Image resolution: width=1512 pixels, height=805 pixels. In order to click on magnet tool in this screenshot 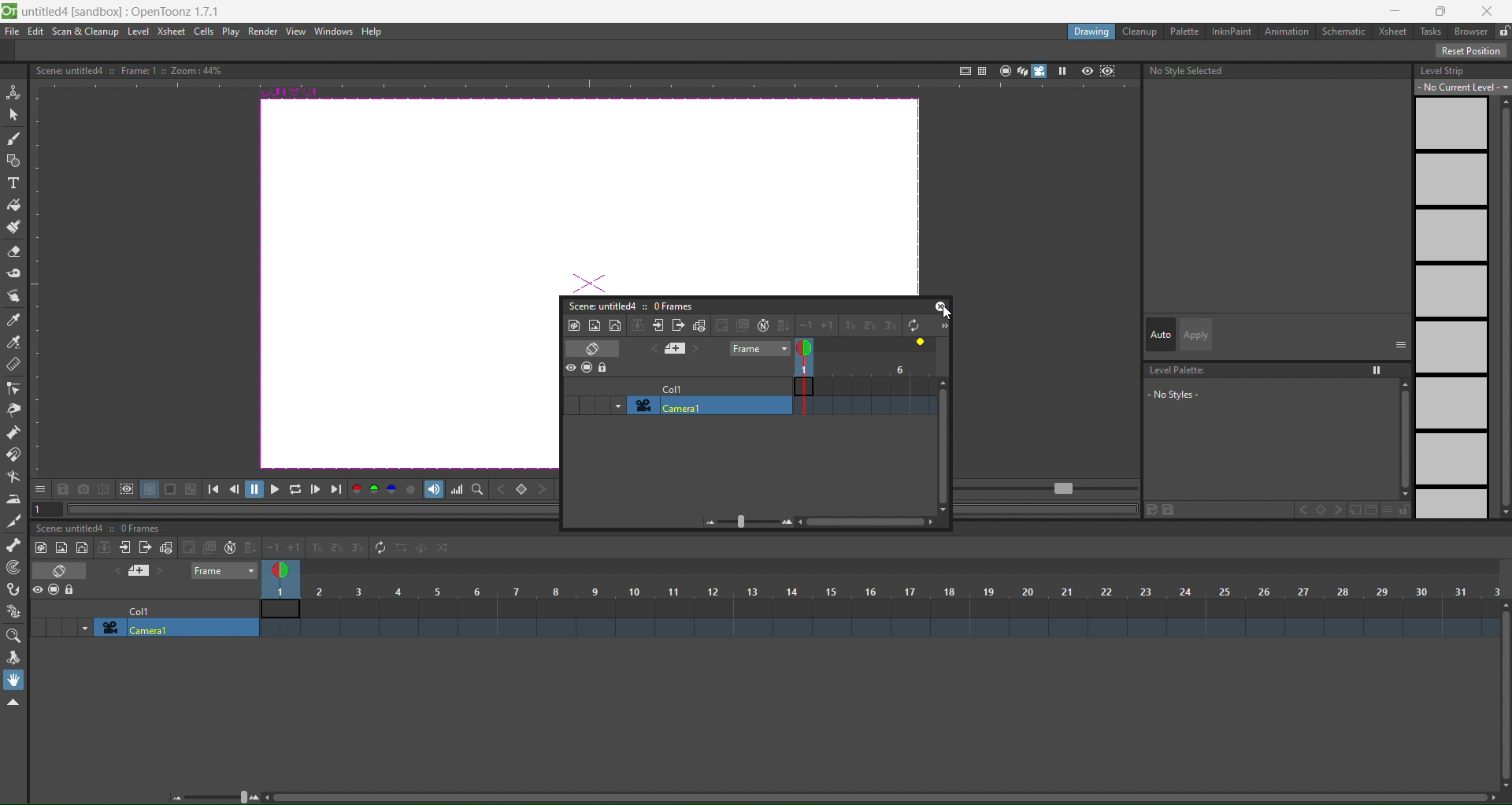, I will do `click(13, 454)`.